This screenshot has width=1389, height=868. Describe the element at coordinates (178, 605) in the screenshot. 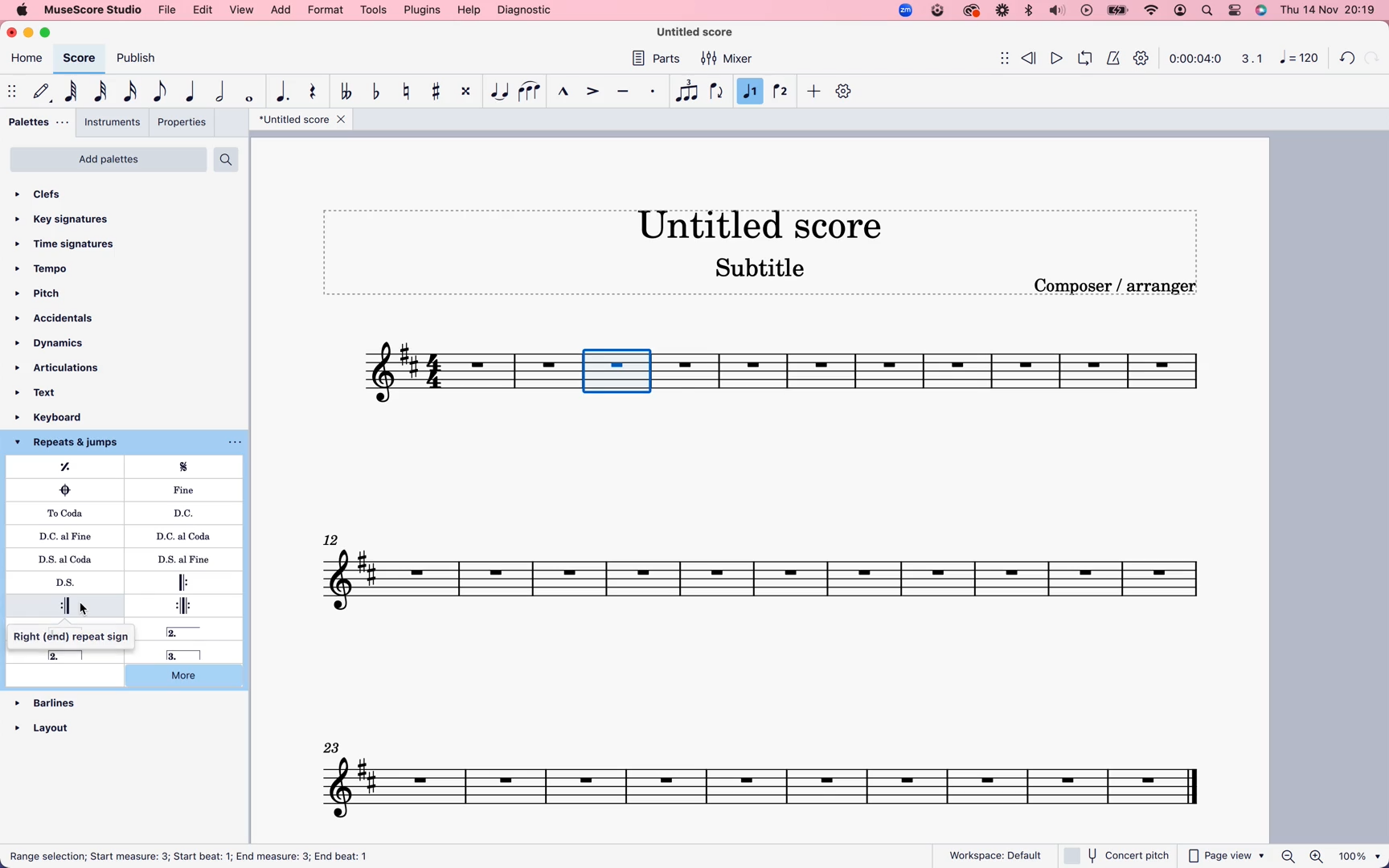

I see `right and left repeat sign` at that location.